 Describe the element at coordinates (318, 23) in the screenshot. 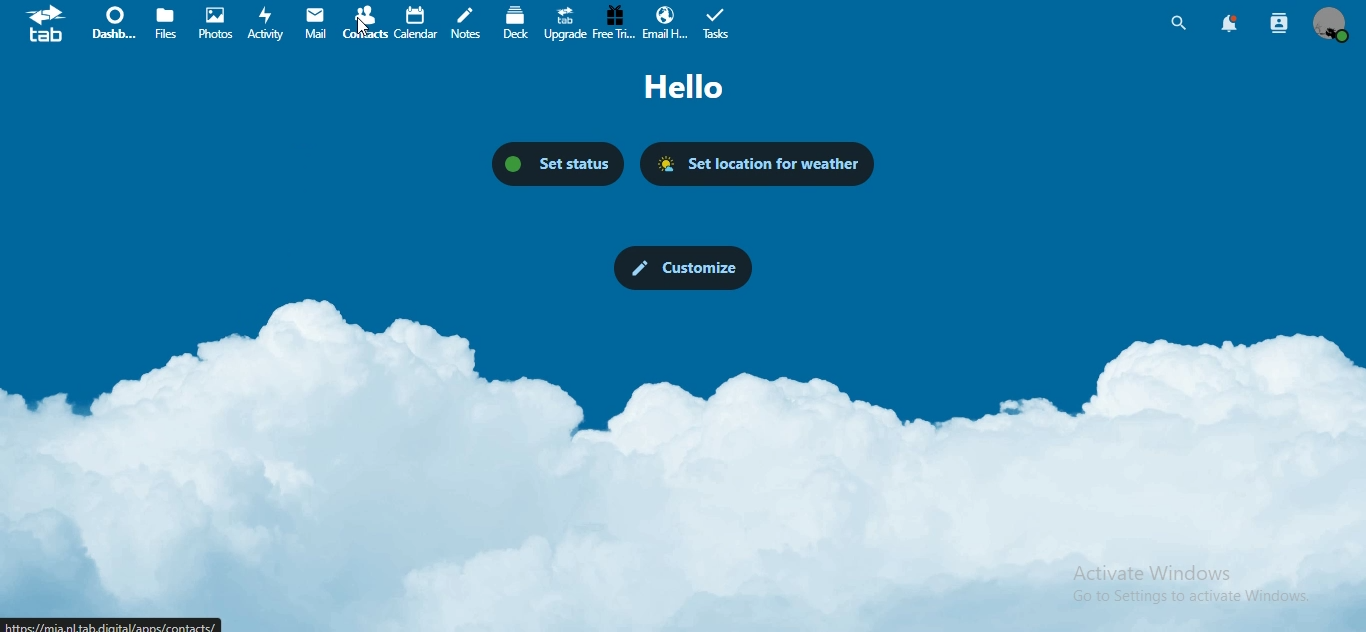

I see `mail` at that location.